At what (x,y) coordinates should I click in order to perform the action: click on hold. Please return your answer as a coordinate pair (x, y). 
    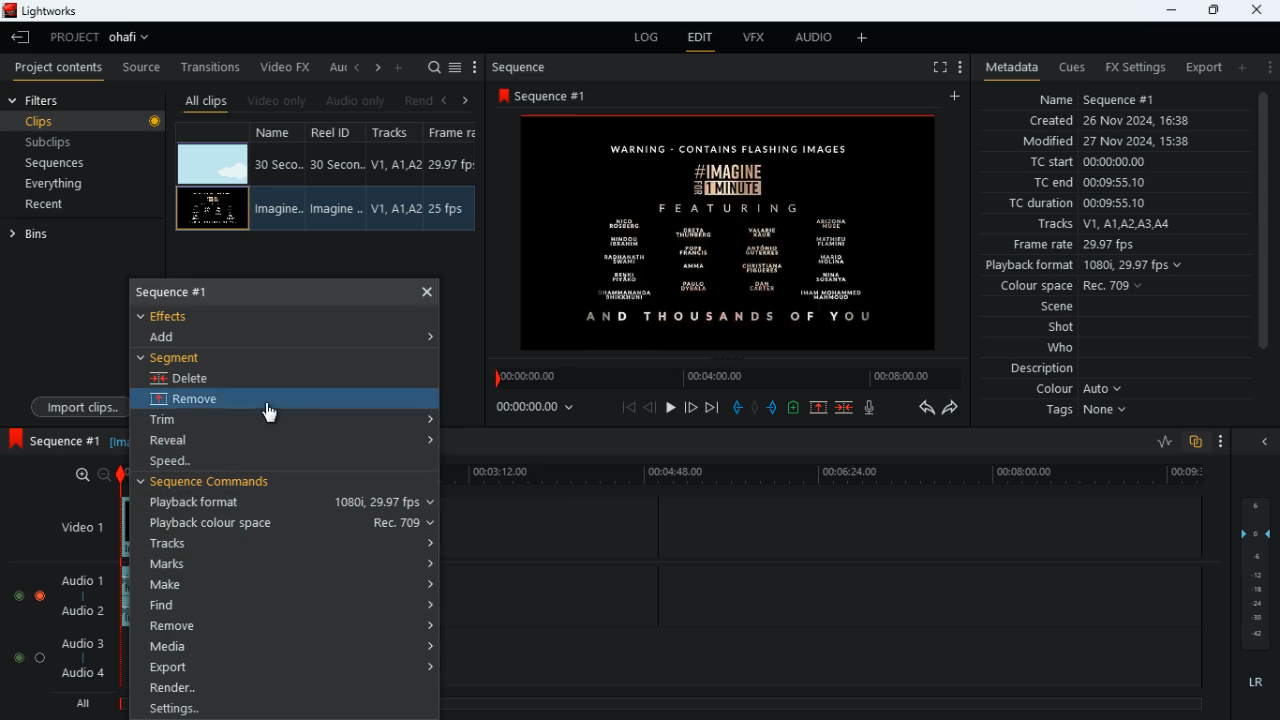
    Looking at the image, I should click on (755, 408).